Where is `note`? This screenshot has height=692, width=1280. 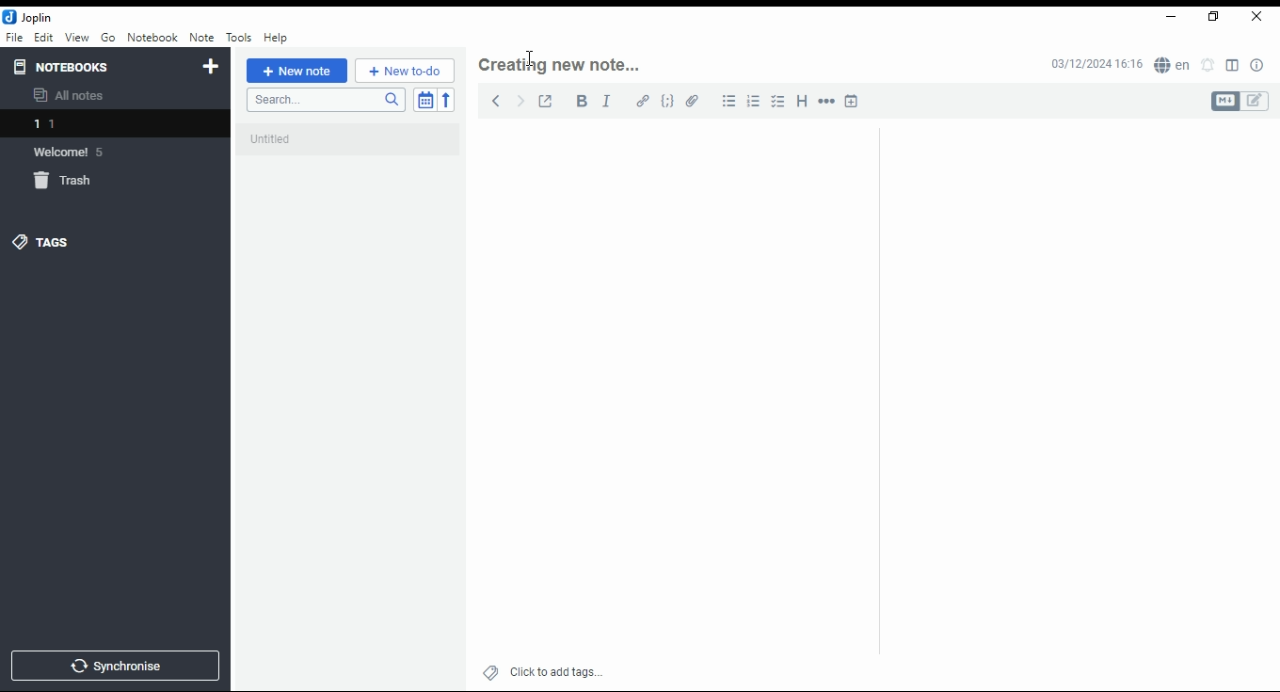
note is located at coordinates (201, 37).